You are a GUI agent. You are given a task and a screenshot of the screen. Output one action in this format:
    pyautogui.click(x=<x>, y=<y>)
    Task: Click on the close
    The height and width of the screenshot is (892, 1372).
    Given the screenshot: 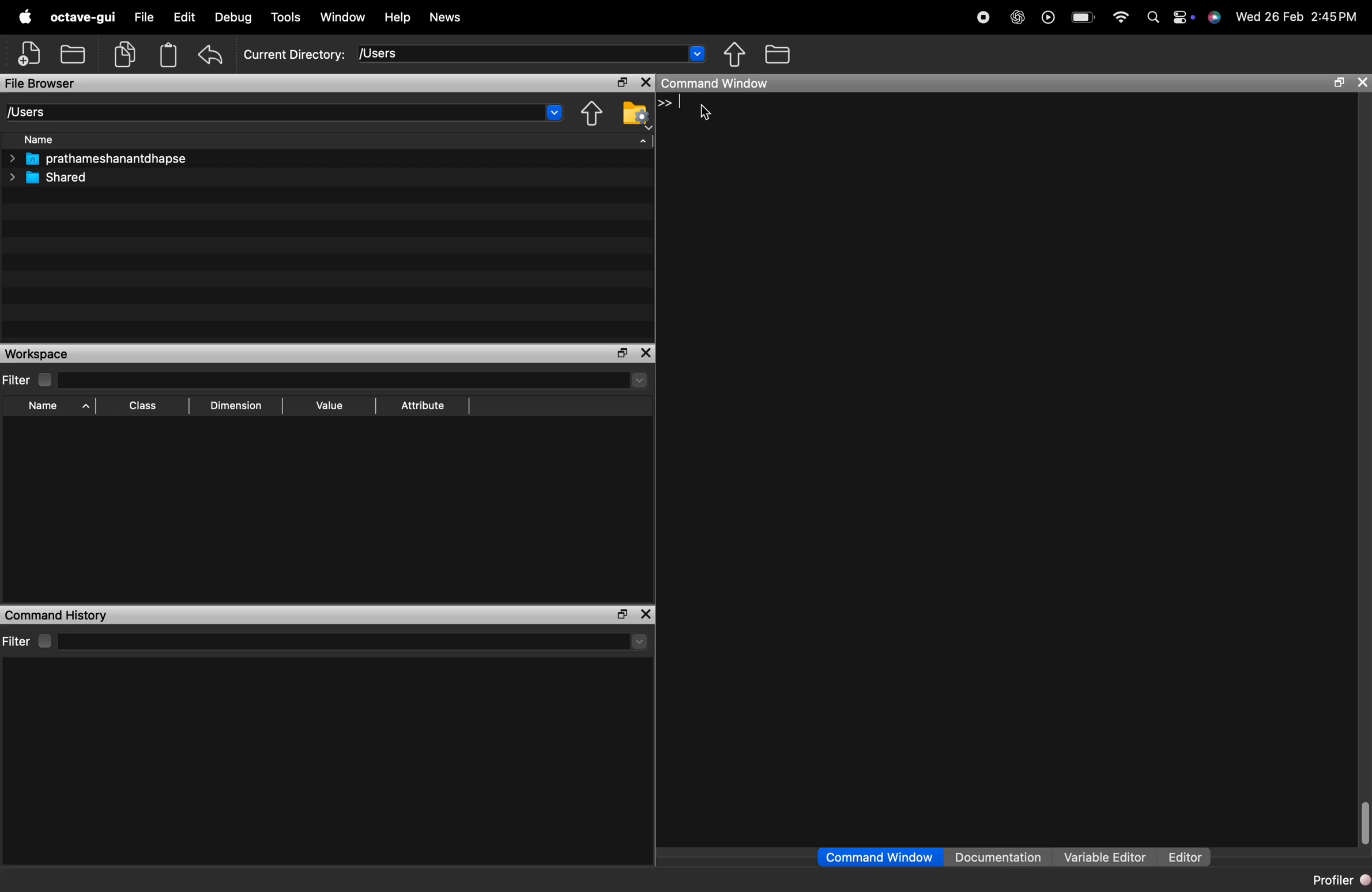 What is the action you would take?
    pyautogui.click(x=1363, y=83)
    